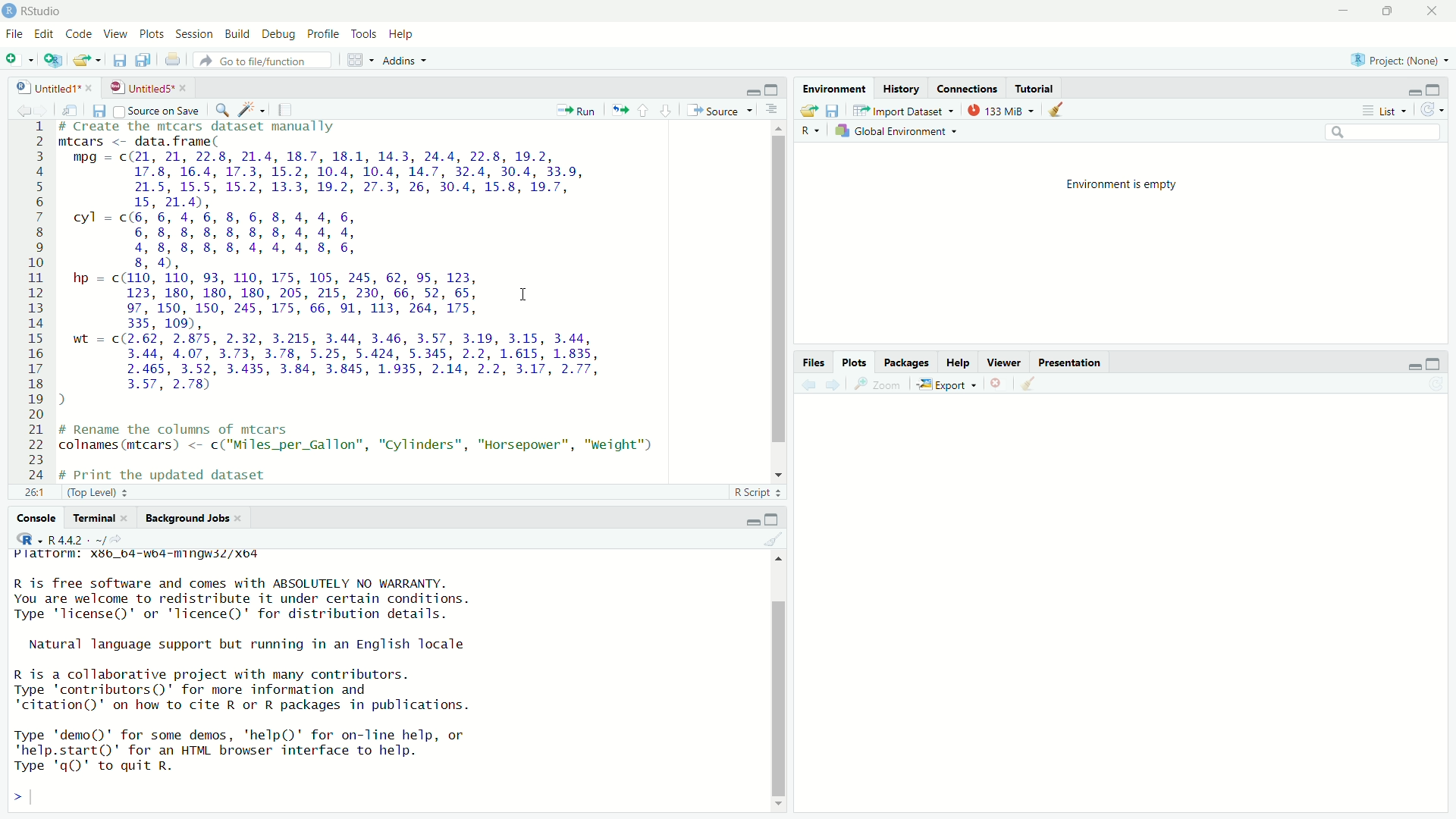  What do you see at coordinates (1036, 89) in the screenshot?
I see `Tutorial` at bounding box center [1036, 89].